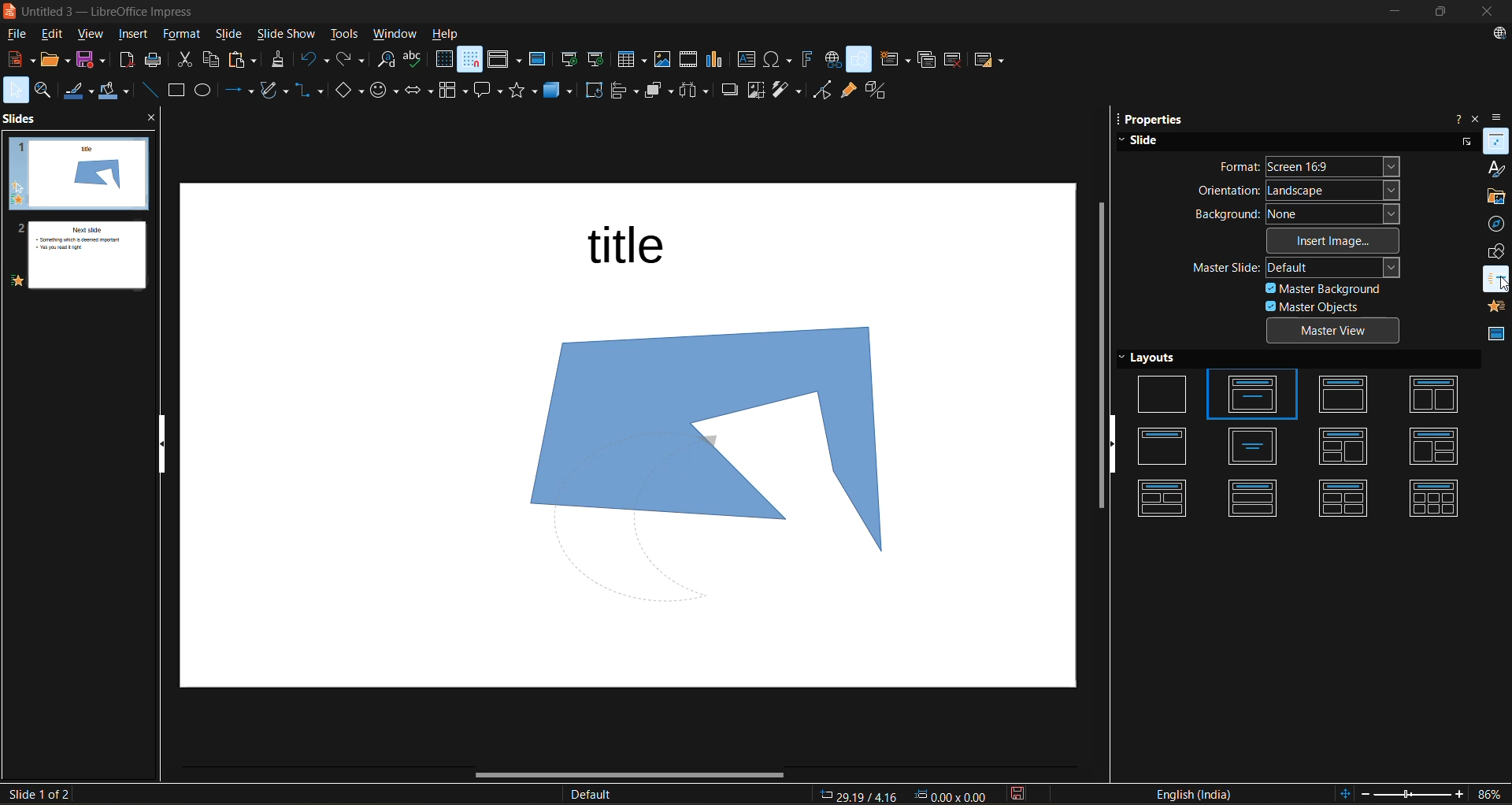 The height and width of the screenshot is (805, 1512). I want to click on edit, so click(57, 36).